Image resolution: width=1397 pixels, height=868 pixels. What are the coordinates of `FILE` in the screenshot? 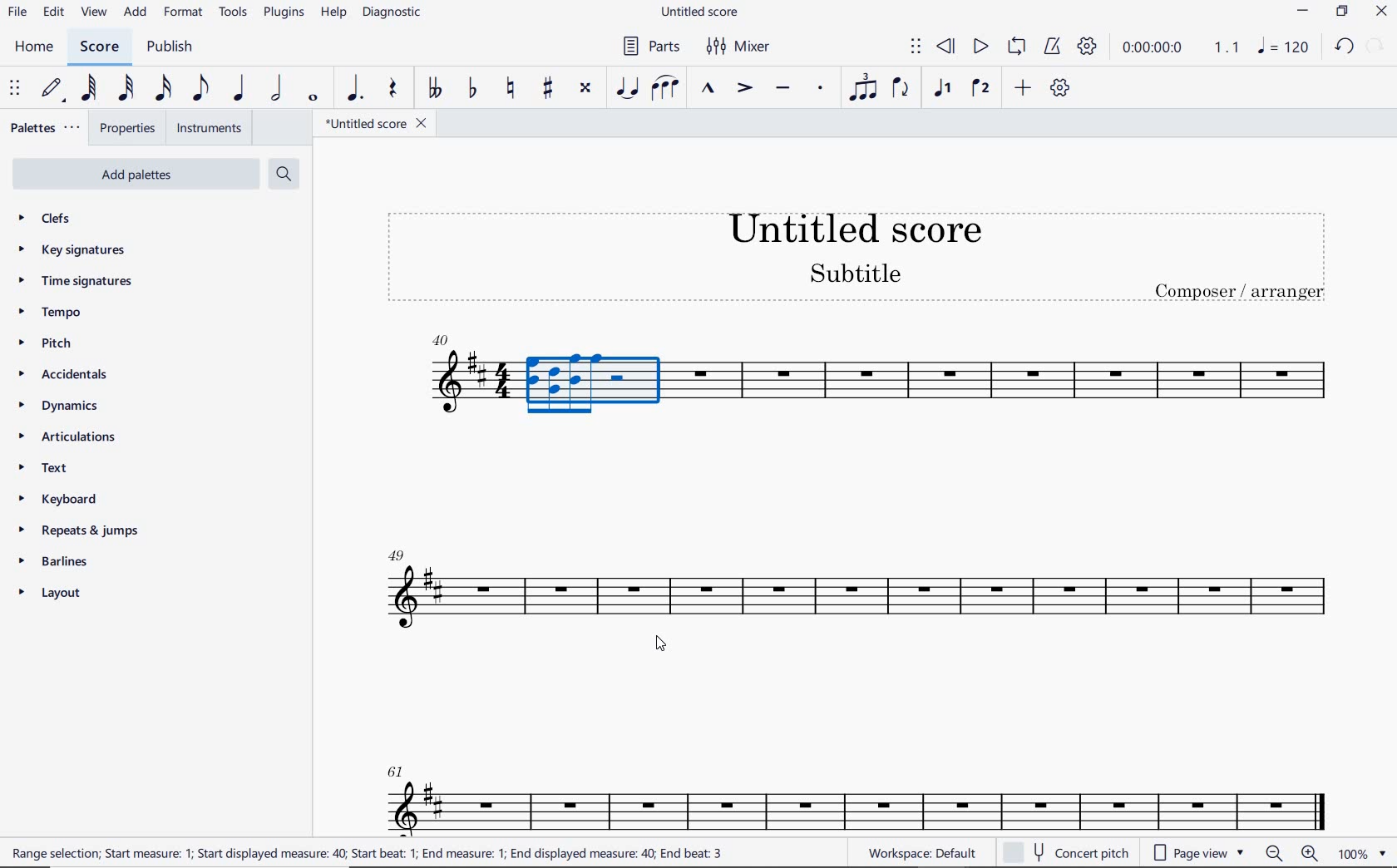 It's located at (17, 13).